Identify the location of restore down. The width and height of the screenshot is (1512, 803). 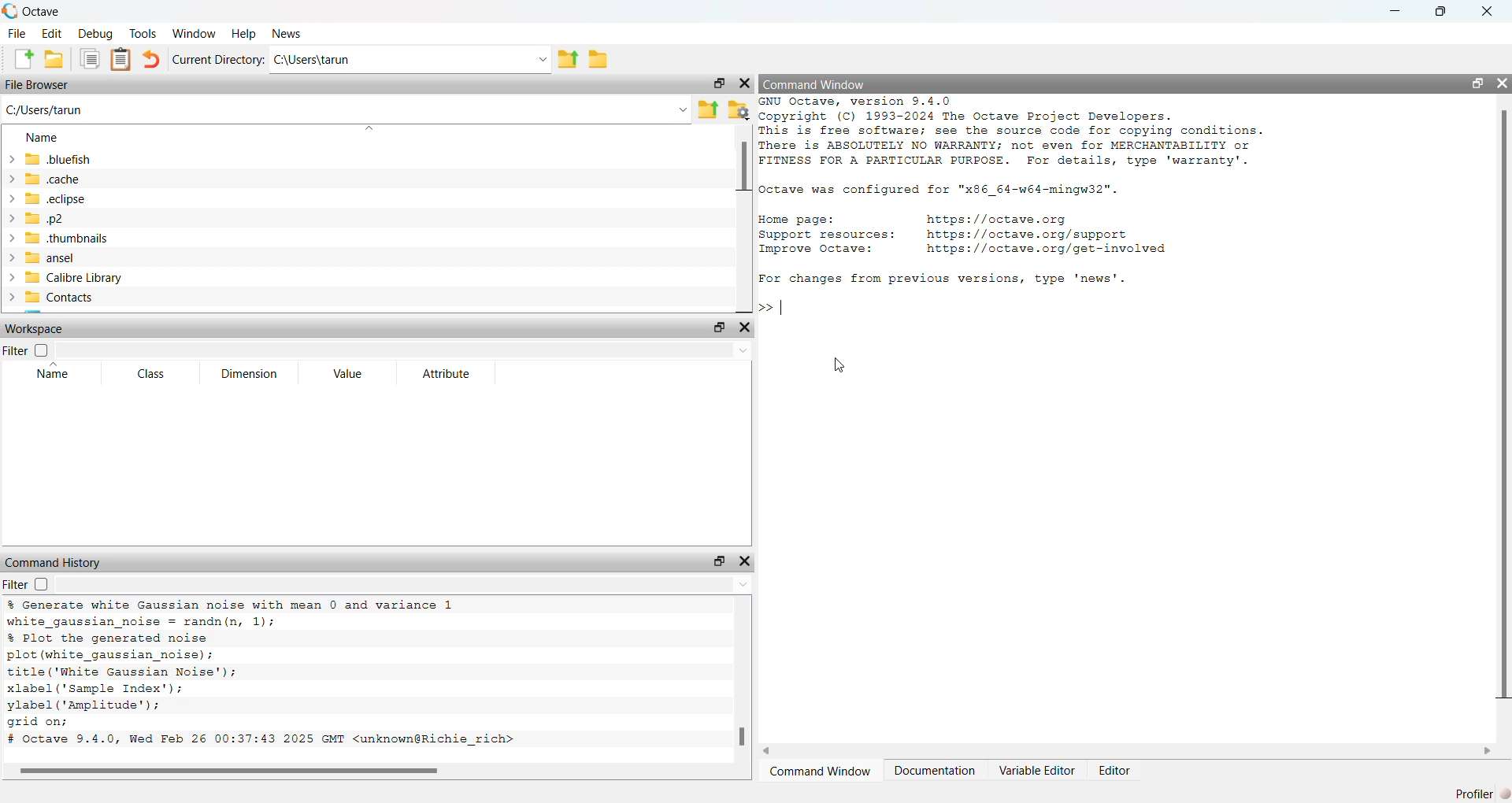
(720, 83).